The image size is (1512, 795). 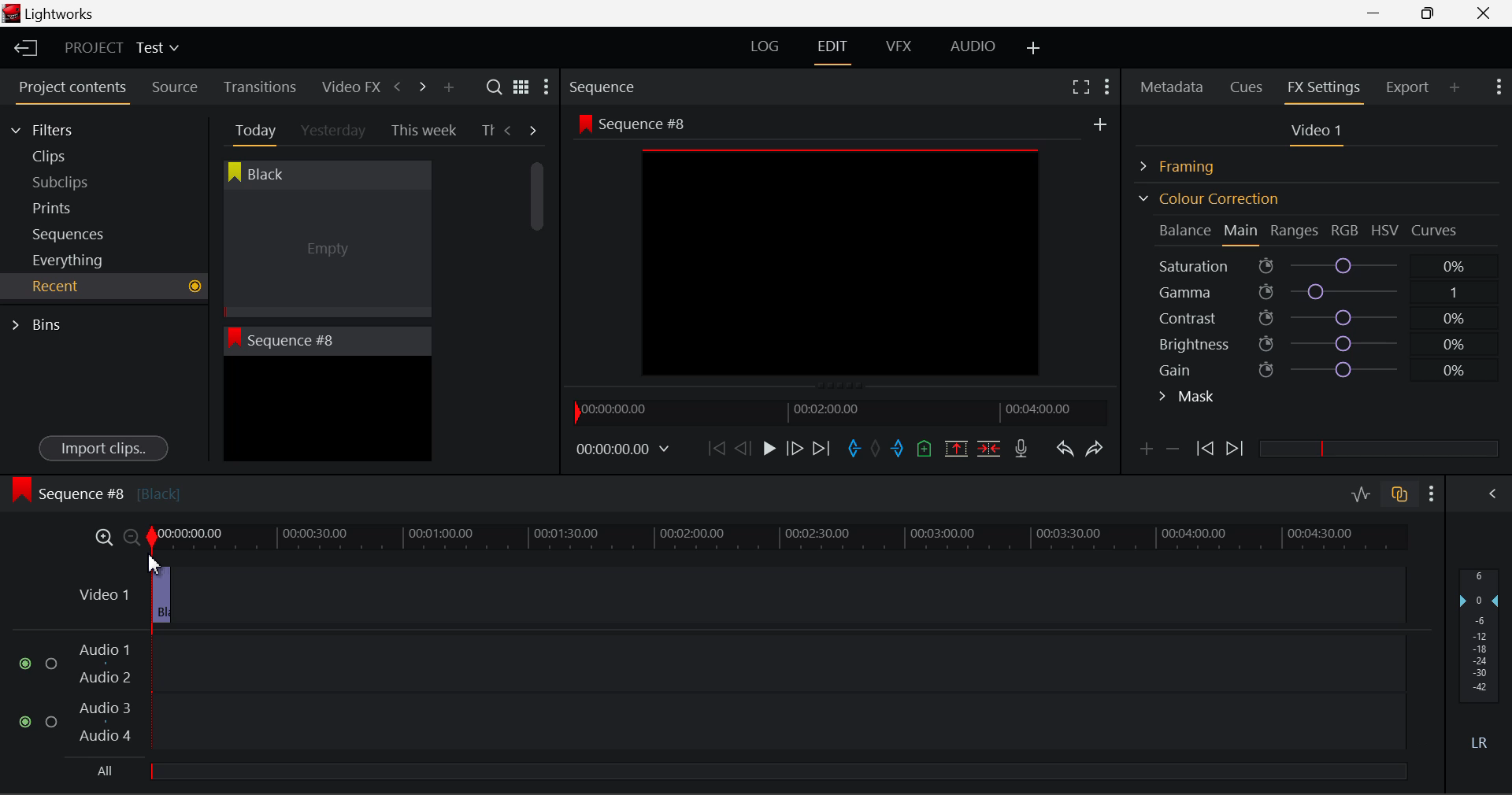 What do you see at coordinates (606, 88) in the screenshot?
I see `Sequence Preview Section` at bounding box center [606, 88].